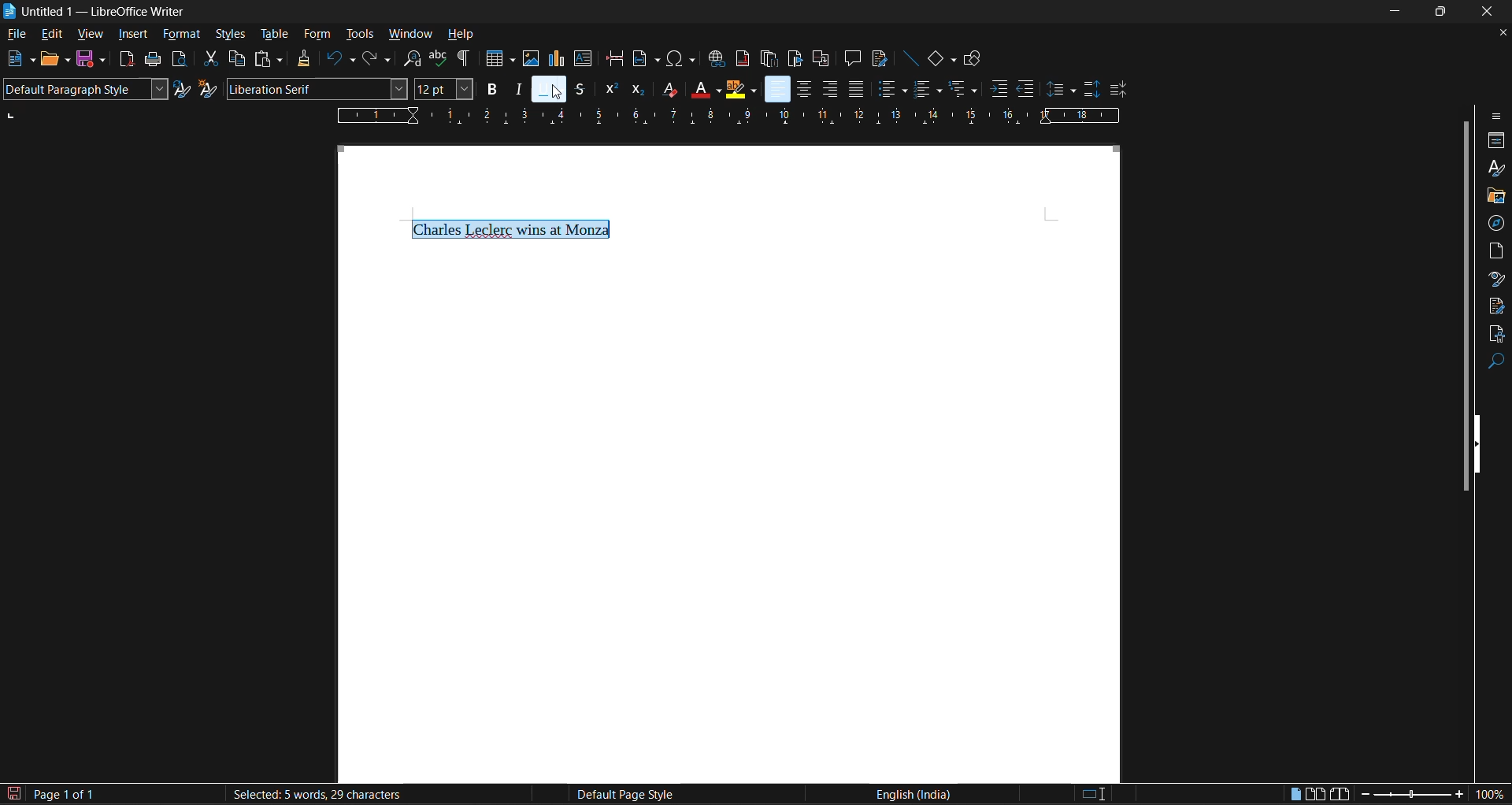 The height and width of the screenshot is (805, 1512). What do you see at coordinates (178, 58) in the screenshot?
I see `toggle print preview` at bounding box center [178, 58].